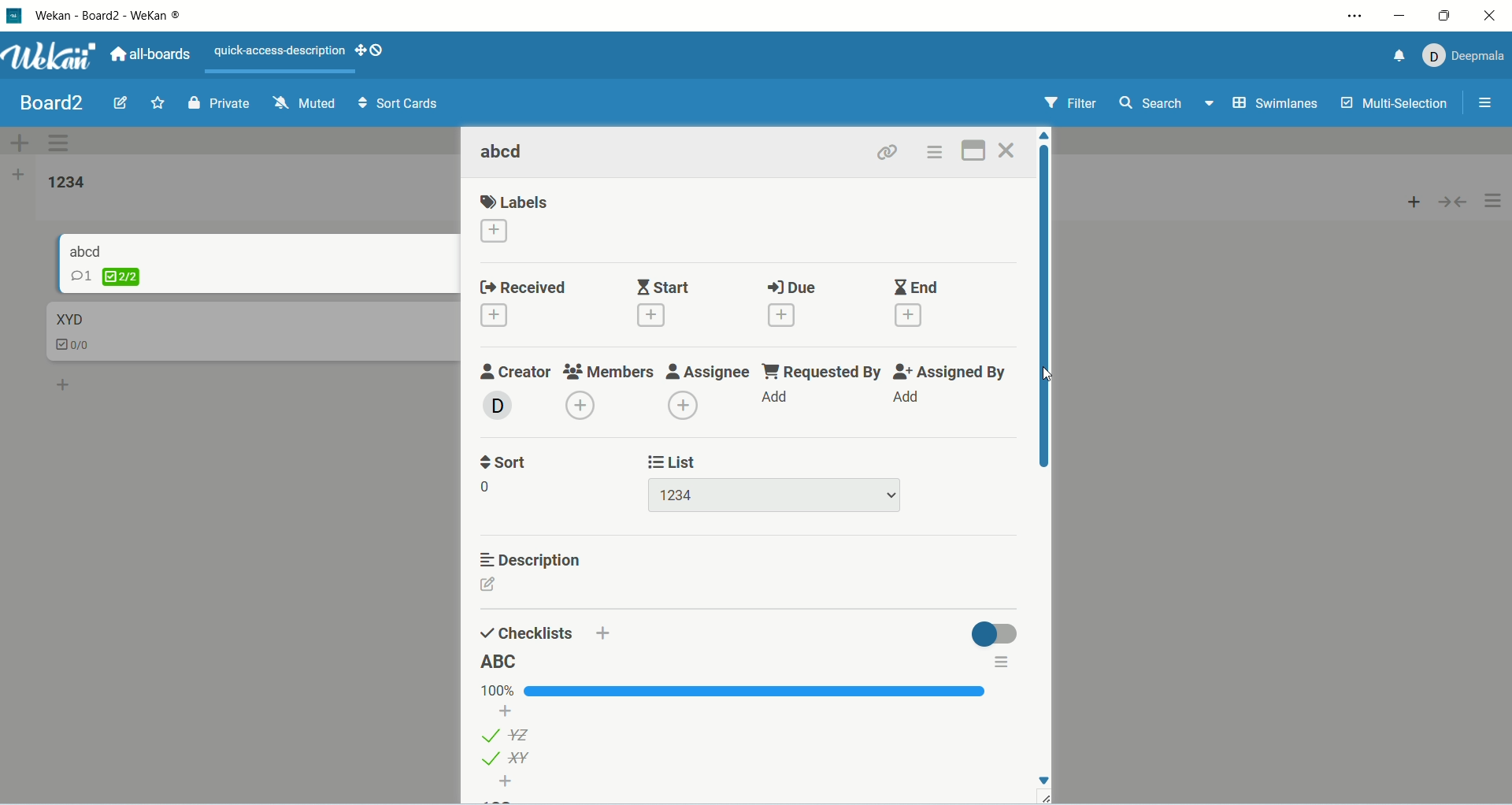 The height and width of the screenshot is (805, 1512). Describe the element at coordinates (1483, 17) in the screenshot. I see `close` at that location.